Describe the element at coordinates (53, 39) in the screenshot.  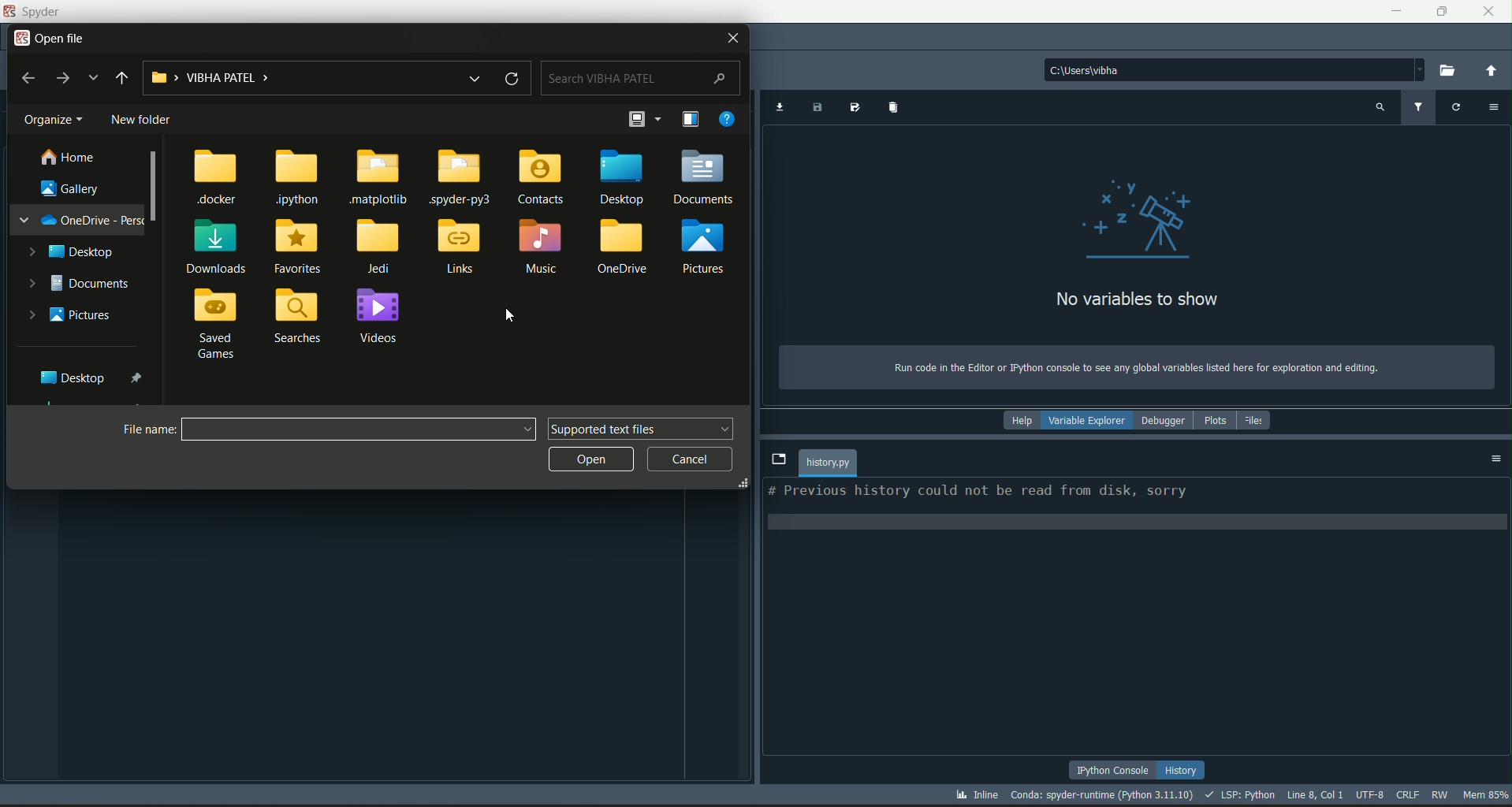
I see `open file` at that location.